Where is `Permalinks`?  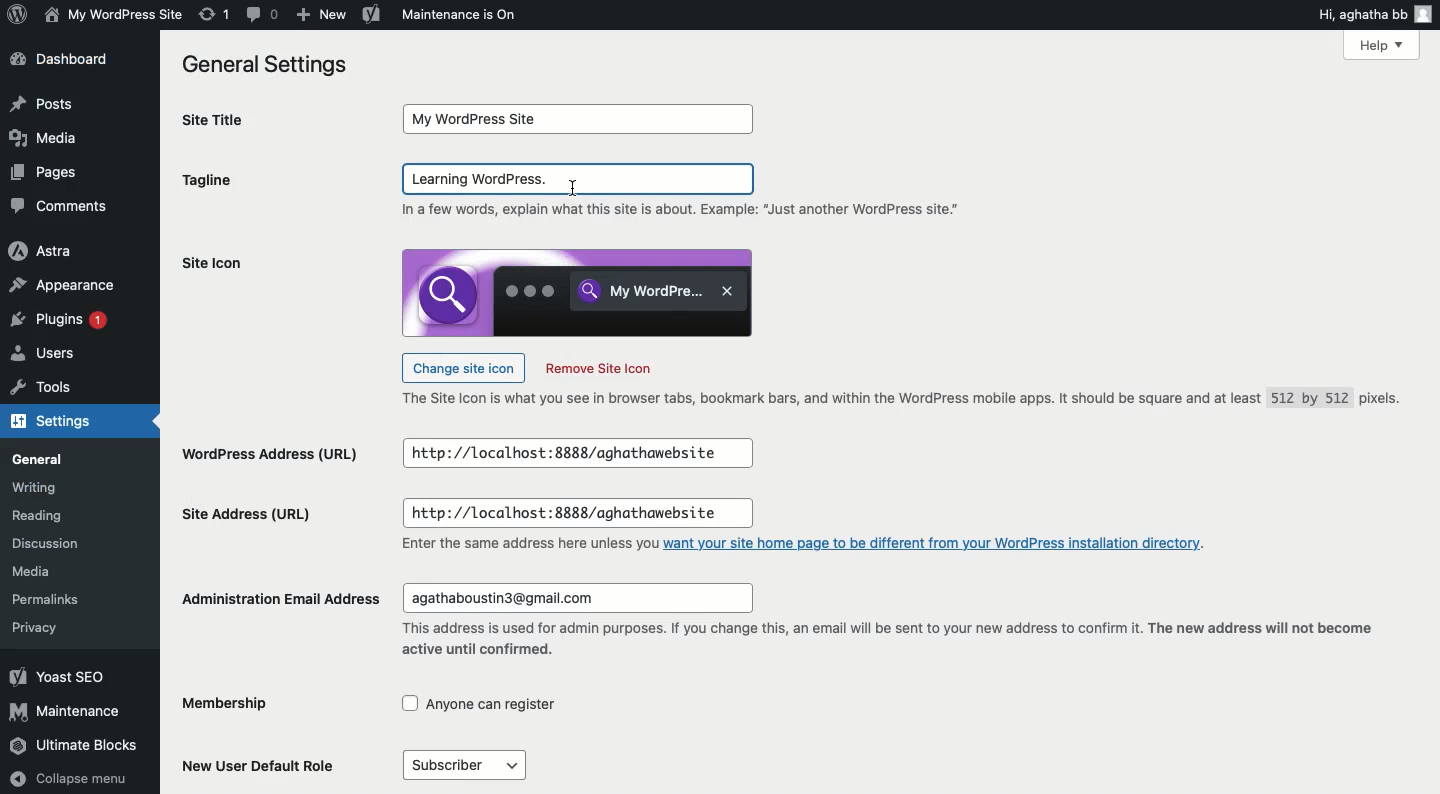 Permalinks is located at coordinates (50, 597).